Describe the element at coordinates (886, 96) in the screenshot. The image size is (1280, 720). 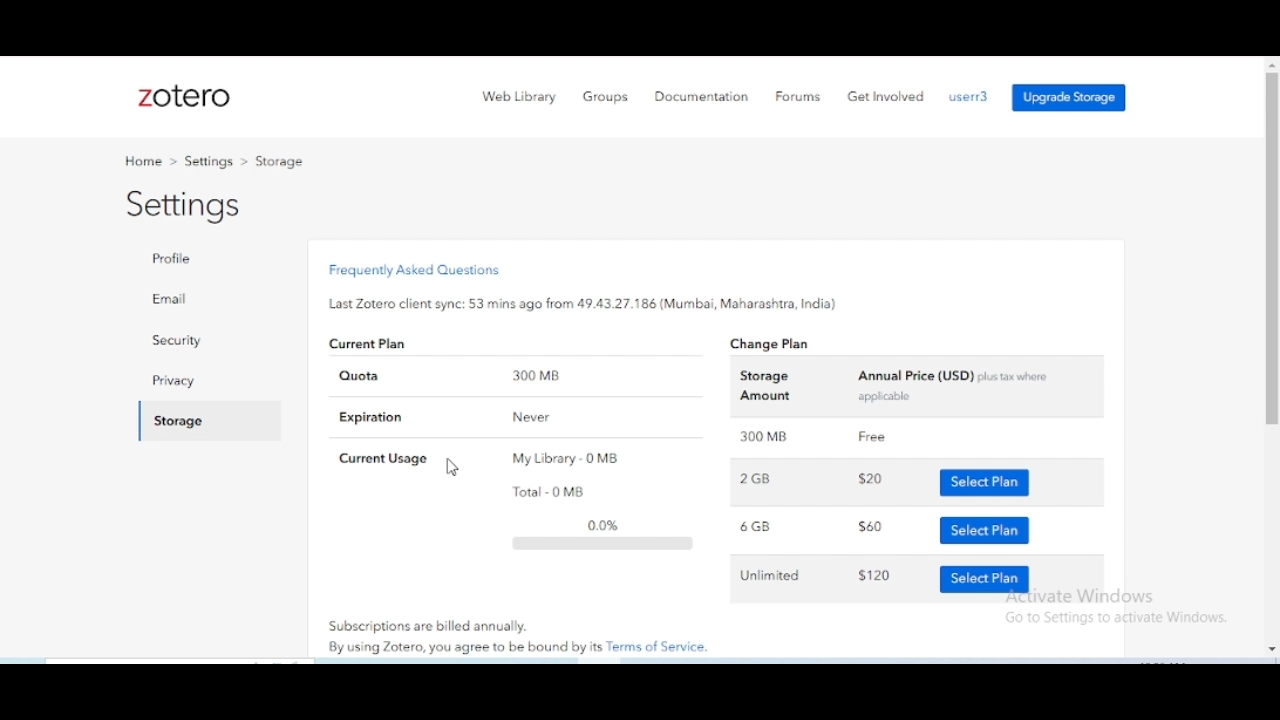
I see `get involved` at that location.